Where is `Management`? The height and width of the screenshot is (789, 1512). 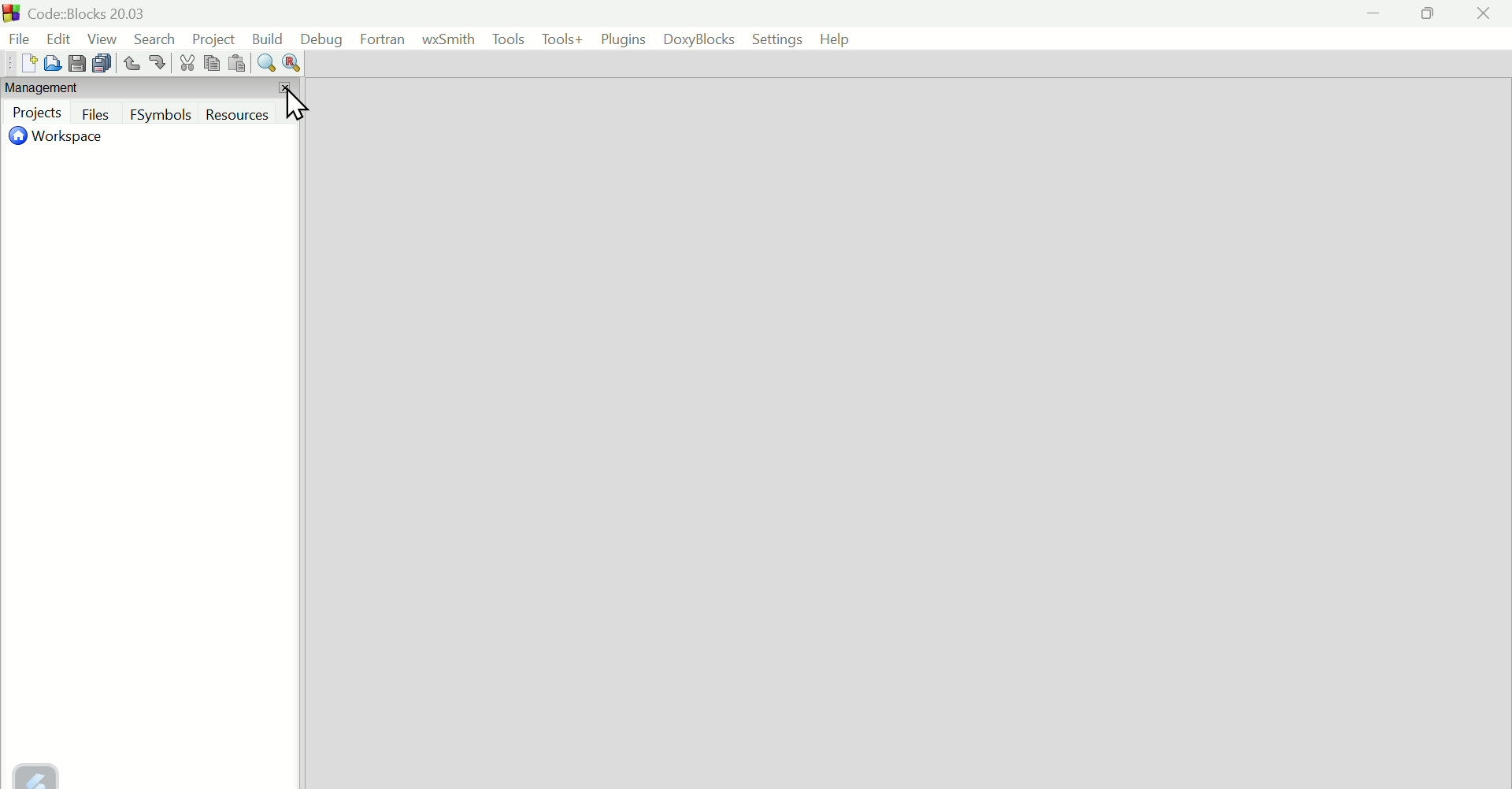
Management is located at coordinates (42, 87).